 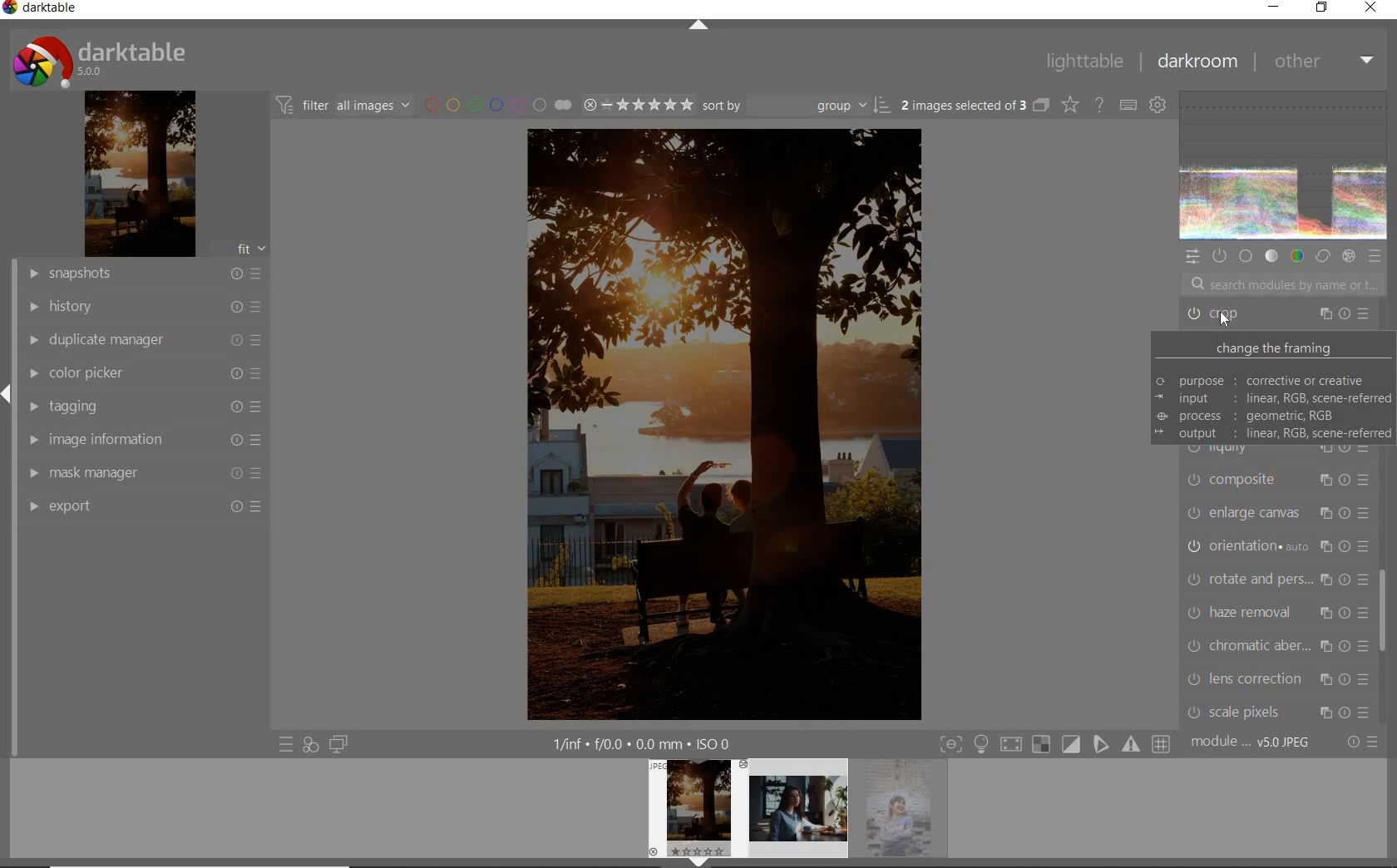 I want to click on module order, so click(x=1249, y=744).